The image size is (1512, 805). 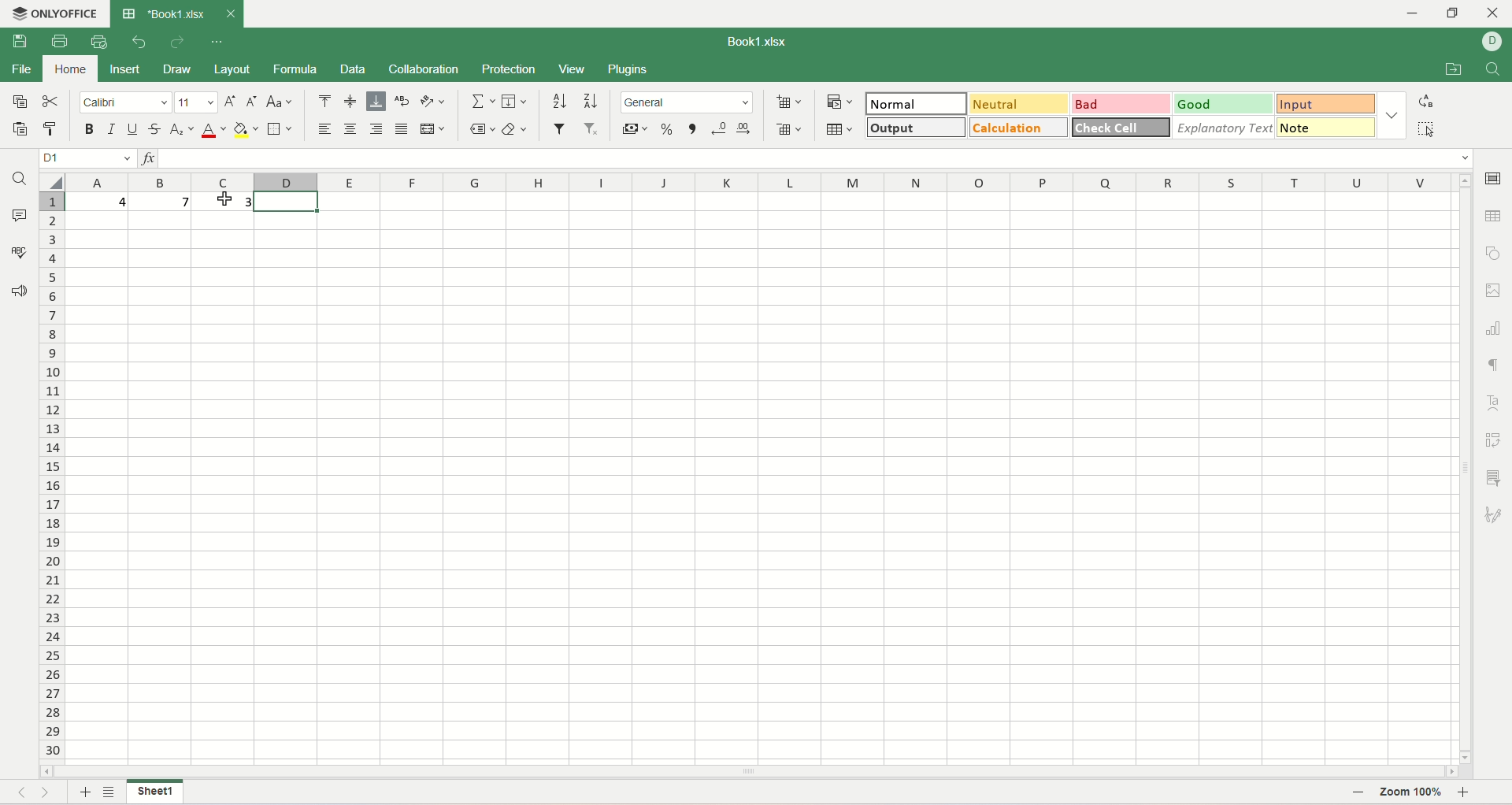 What do you see at coordinates (760, 42) in the screenshot?
I see `Book1.xlsx` at bounding box center [760, 42].